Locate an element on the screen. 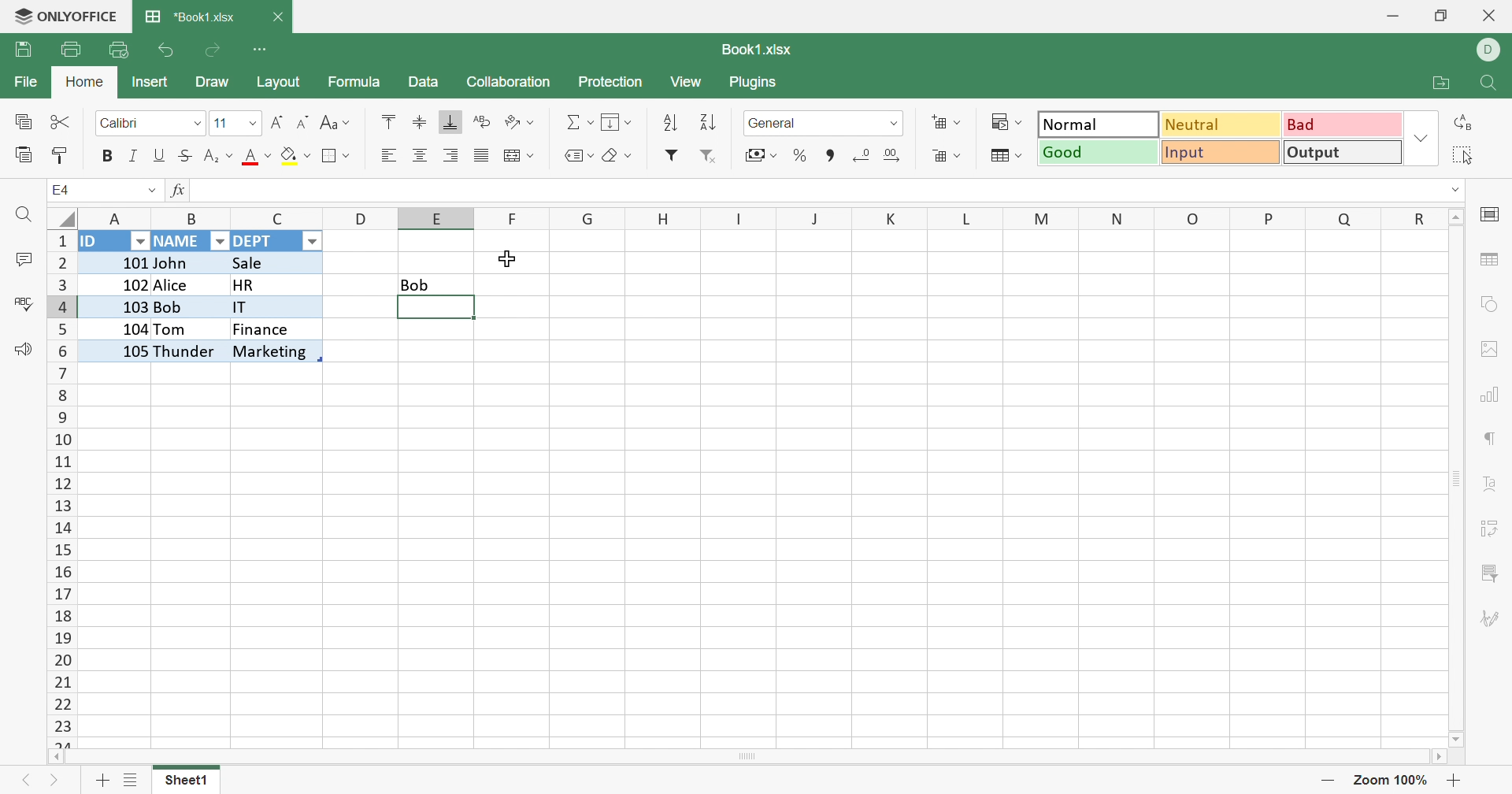  Quick Print is located at coordinates (117, 50).